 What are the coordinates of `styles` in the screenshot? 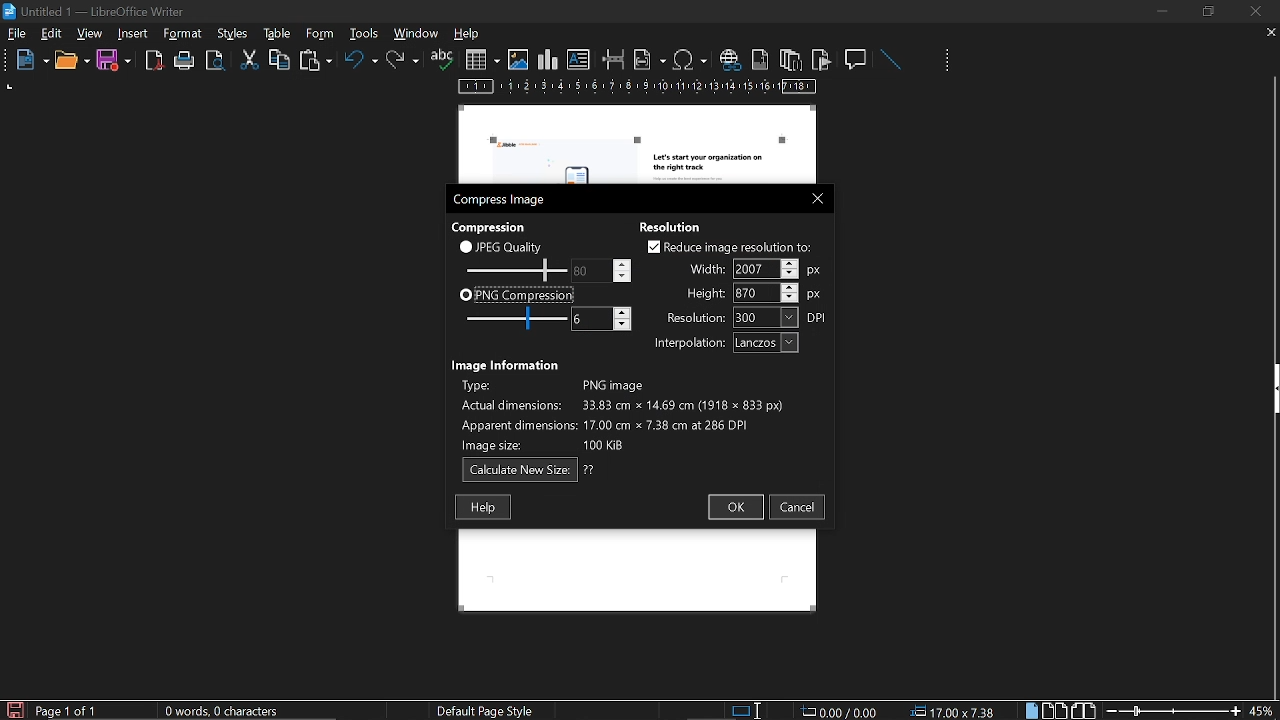 It's located at (274, 33).